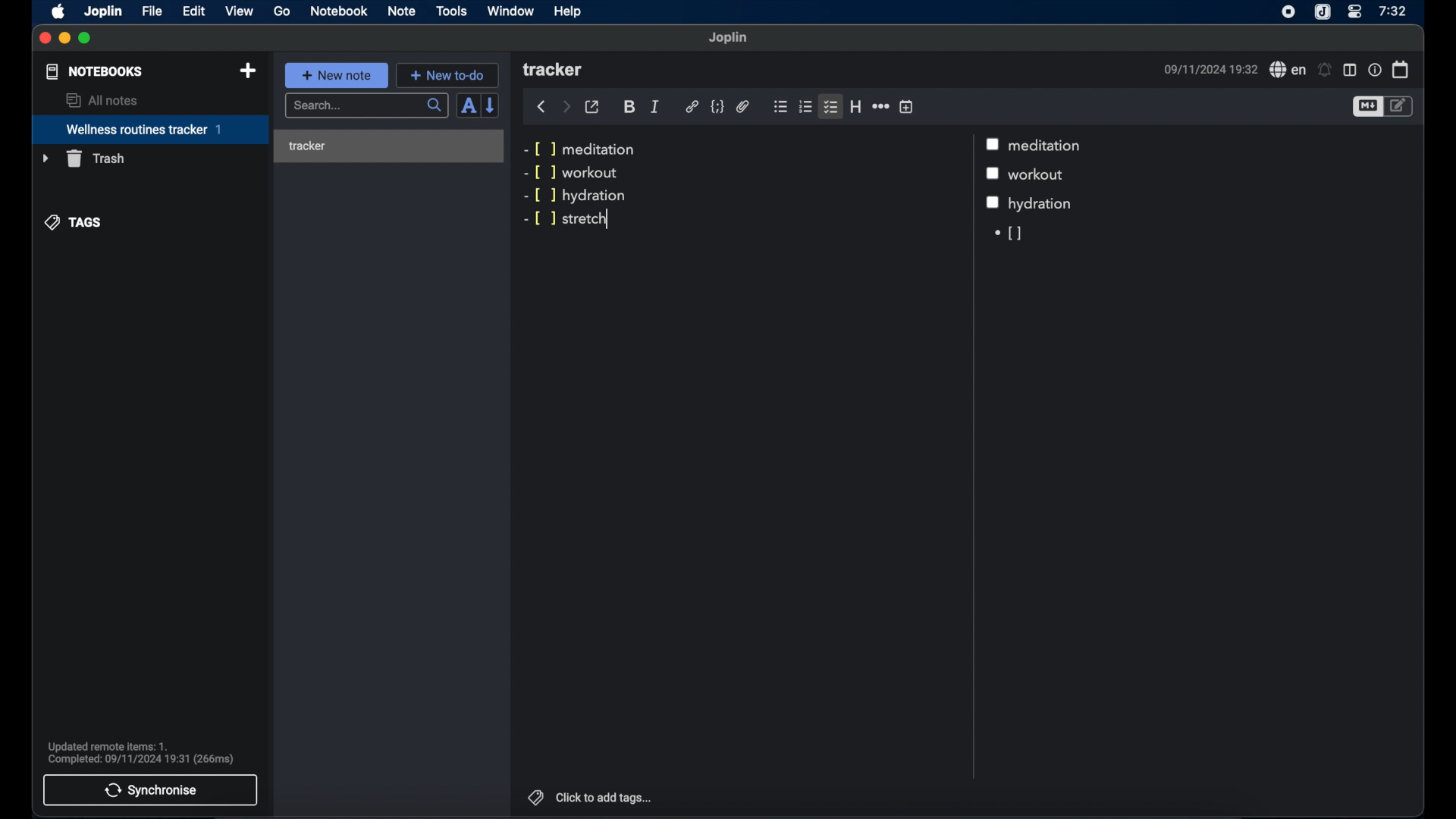  I want to click on tags, so click(533, 795).